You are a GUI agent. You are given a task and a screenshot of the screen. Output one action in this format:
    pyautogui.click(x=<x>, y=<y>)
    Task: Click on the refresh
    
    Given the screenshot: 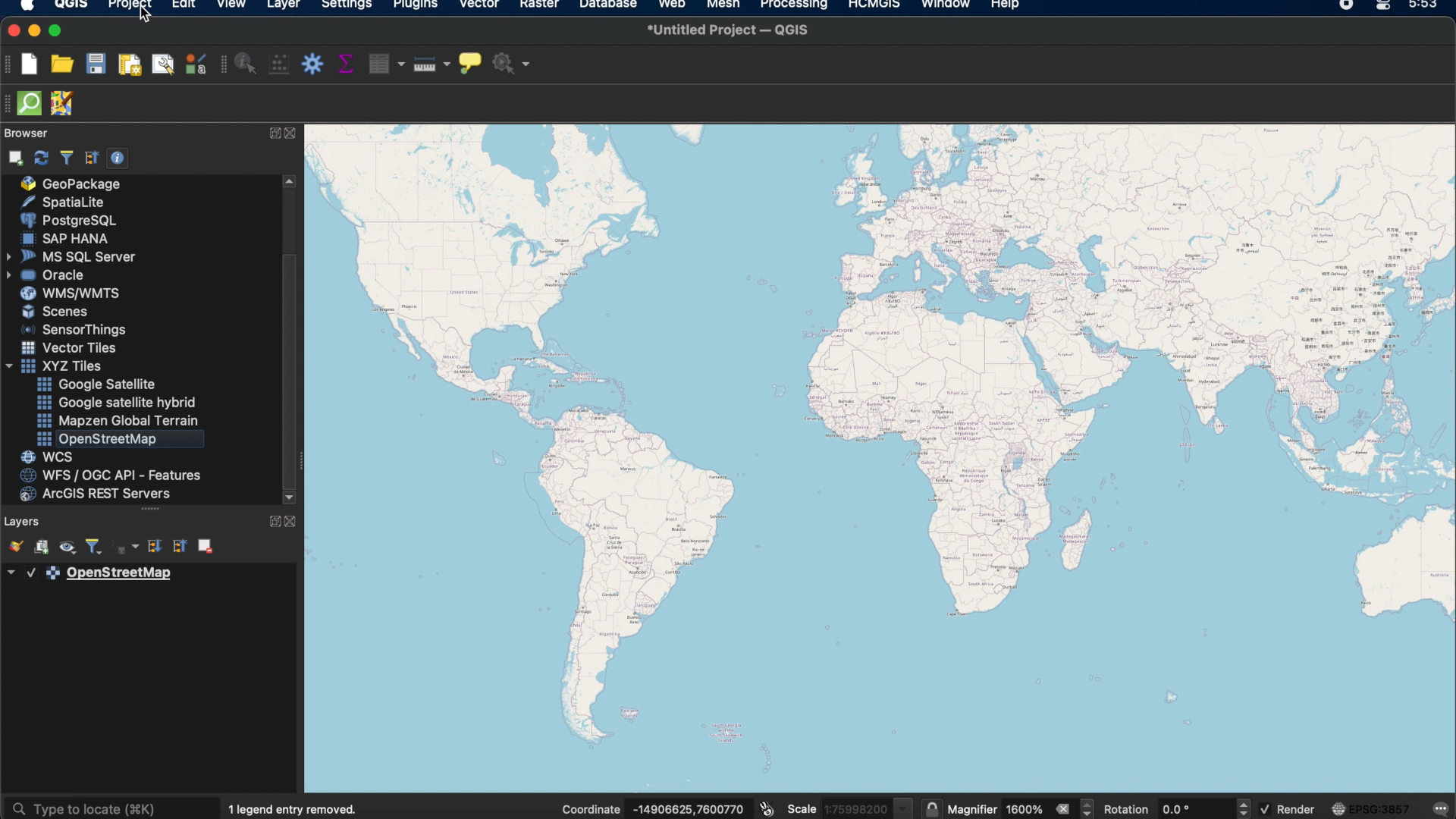 What is the action you would take?
    pyautogui.click(x=40, y=156)
    